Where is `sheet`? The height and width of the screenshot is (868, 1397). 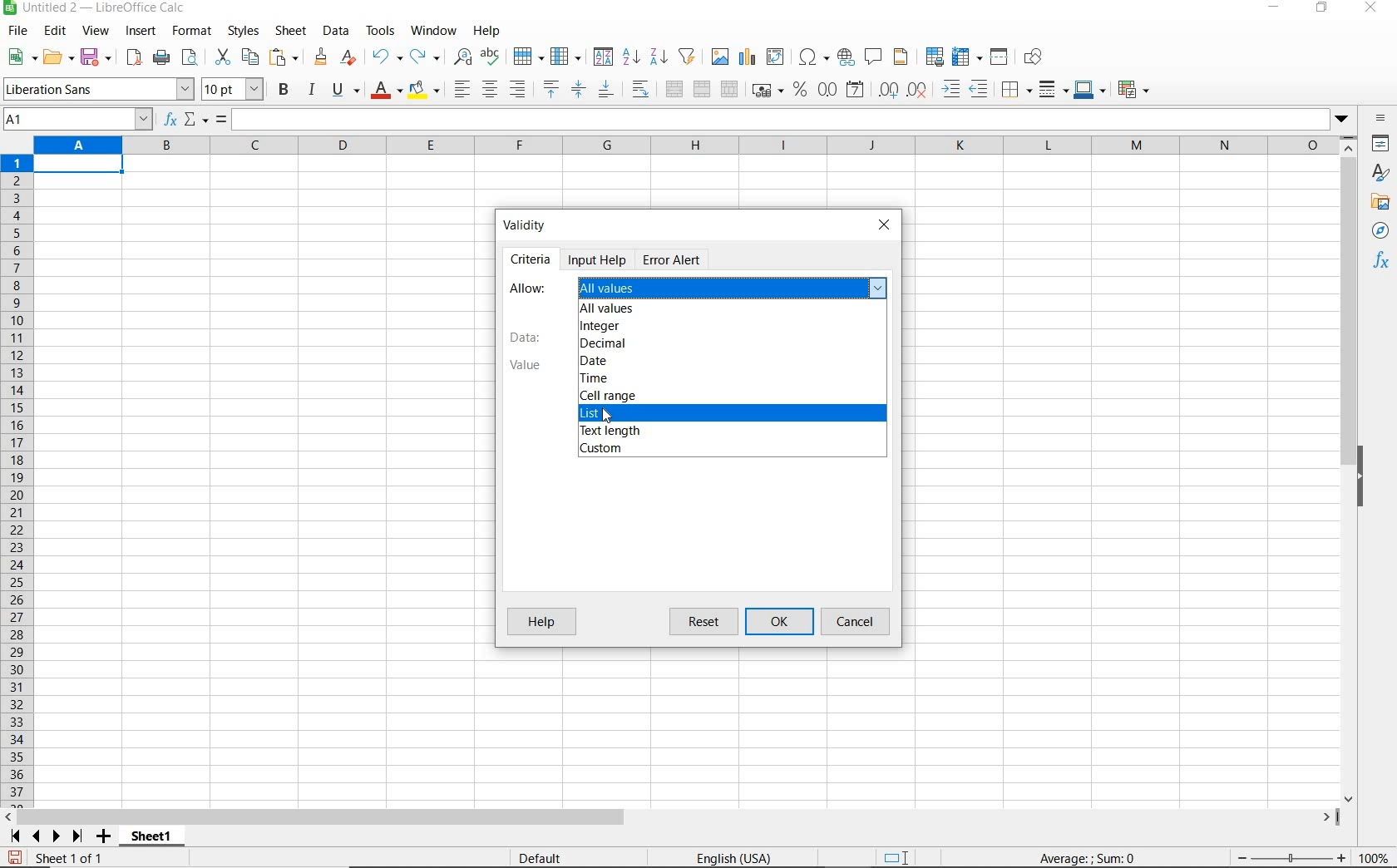
sheet is located at coordinates (292, 32).